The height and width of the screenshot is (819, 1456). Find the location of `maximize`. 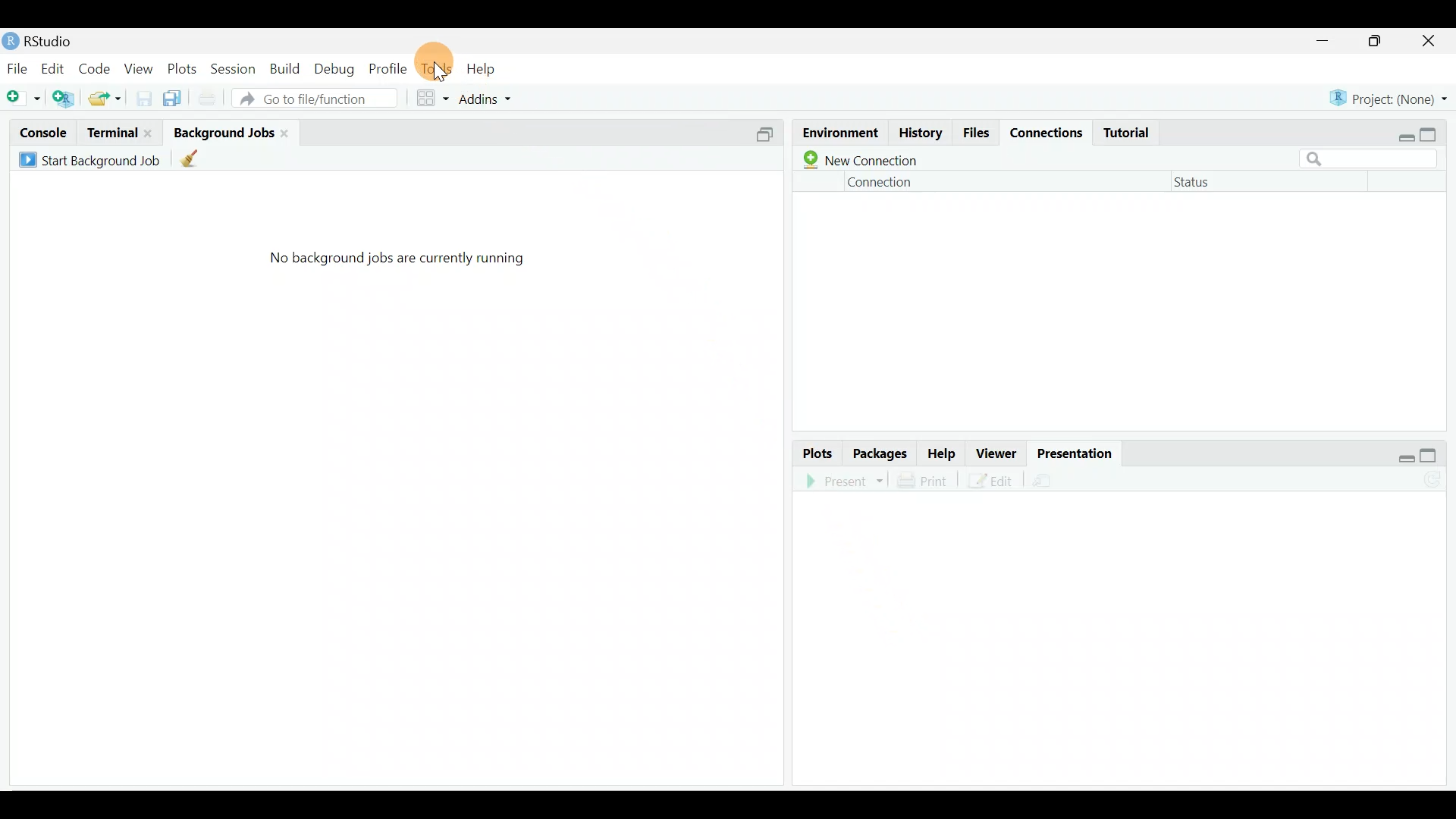

maximize is located at coordinates (1432, 451).